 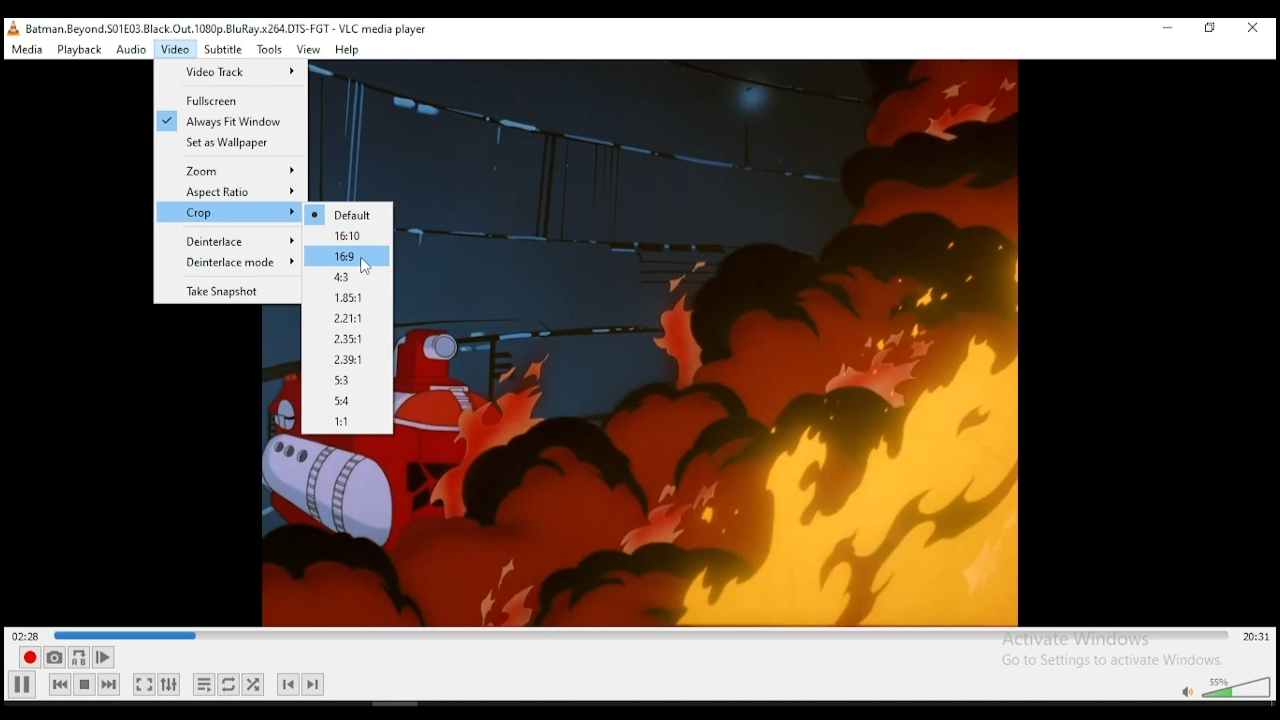 I want to click on stop, so click(x=83, y=685).